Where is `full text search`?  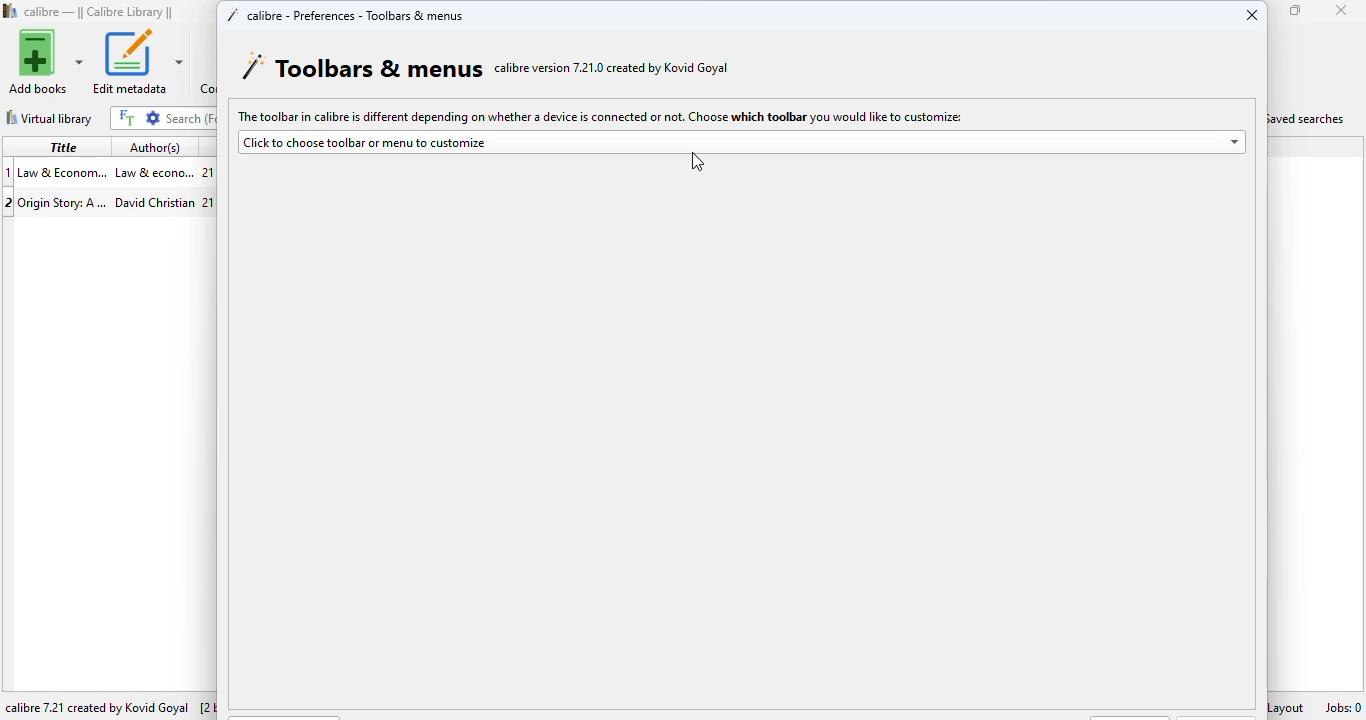
full text search is located at coordinates (126, 117).